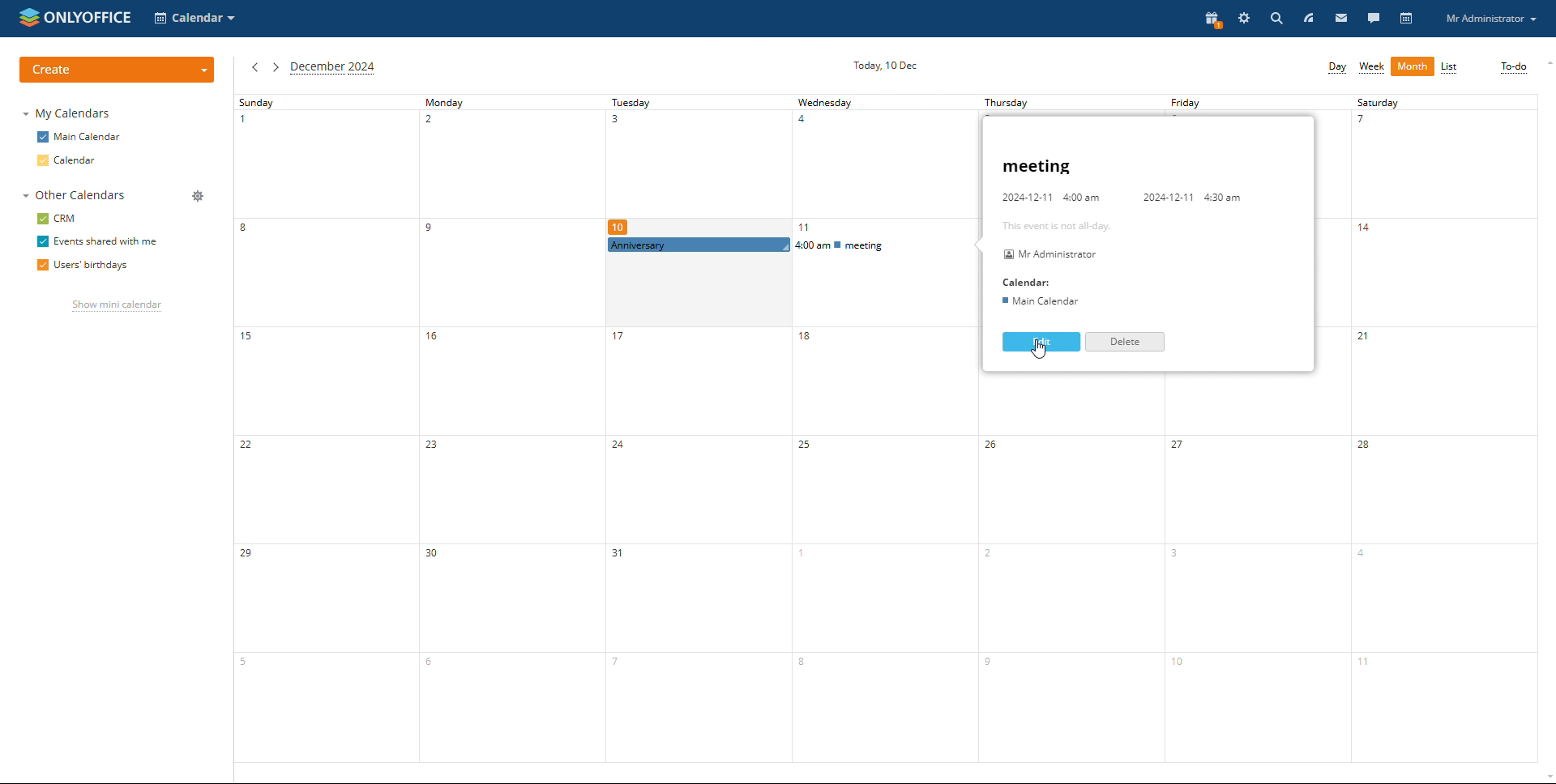 The height and width of the screenshot is (784, 1556). I want to click on select application, so click(196, 18).